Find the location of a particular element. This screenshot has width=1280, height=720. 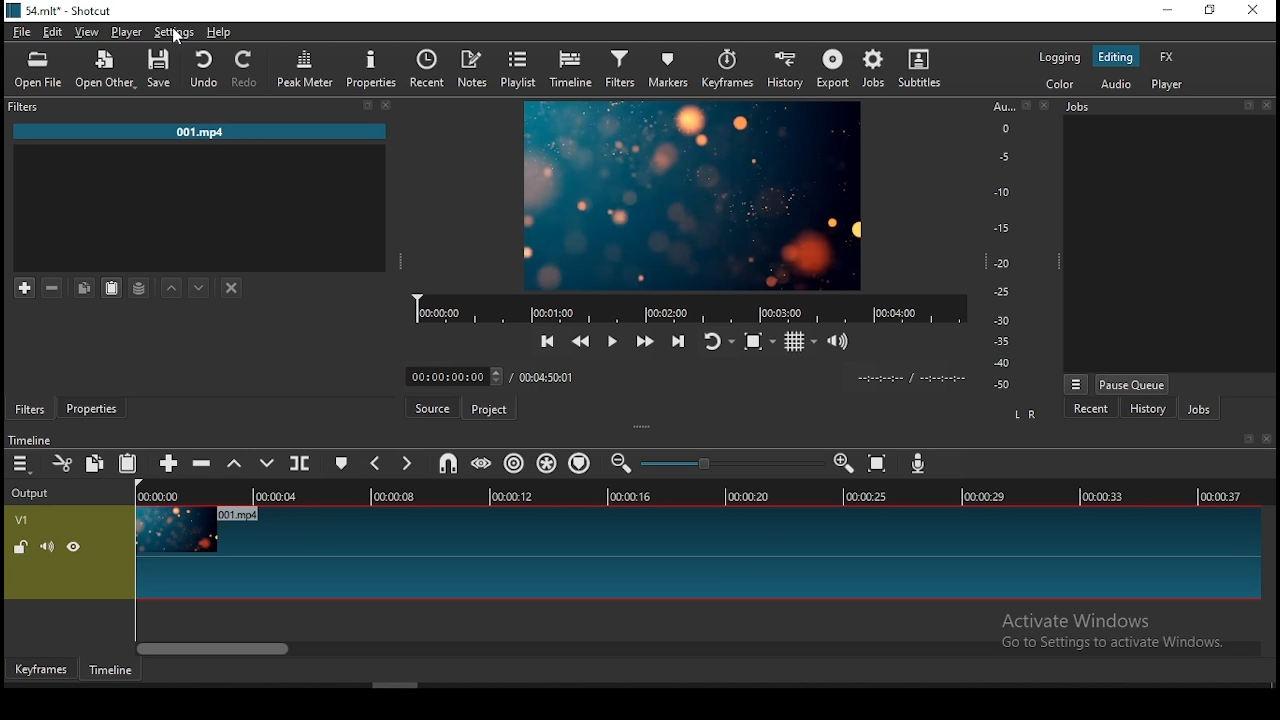

split at playhead is located at coordinates (299, 462).